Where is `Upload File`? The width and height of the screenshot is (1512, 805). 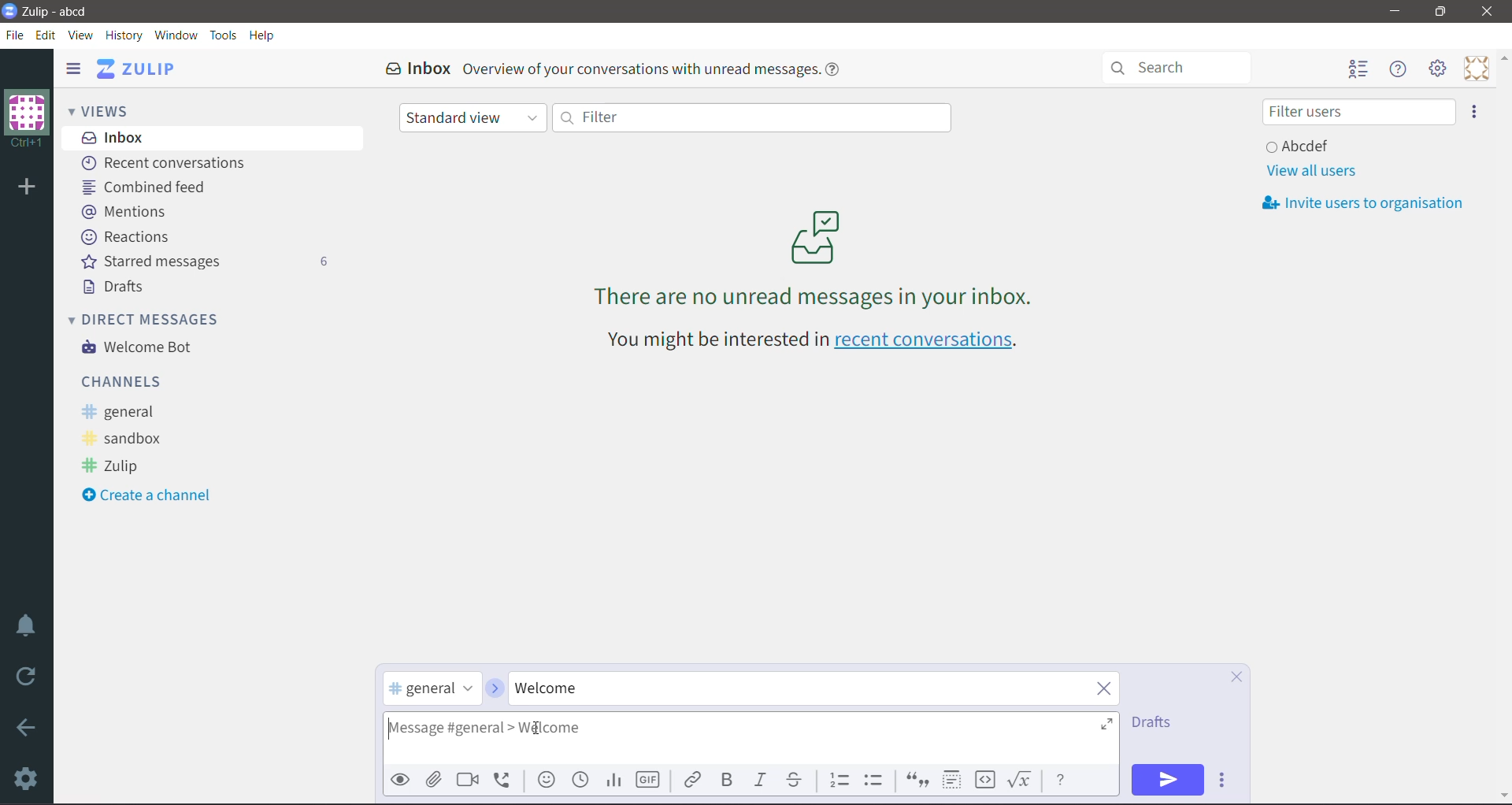
Upload File is located at coordinates (434, 780).